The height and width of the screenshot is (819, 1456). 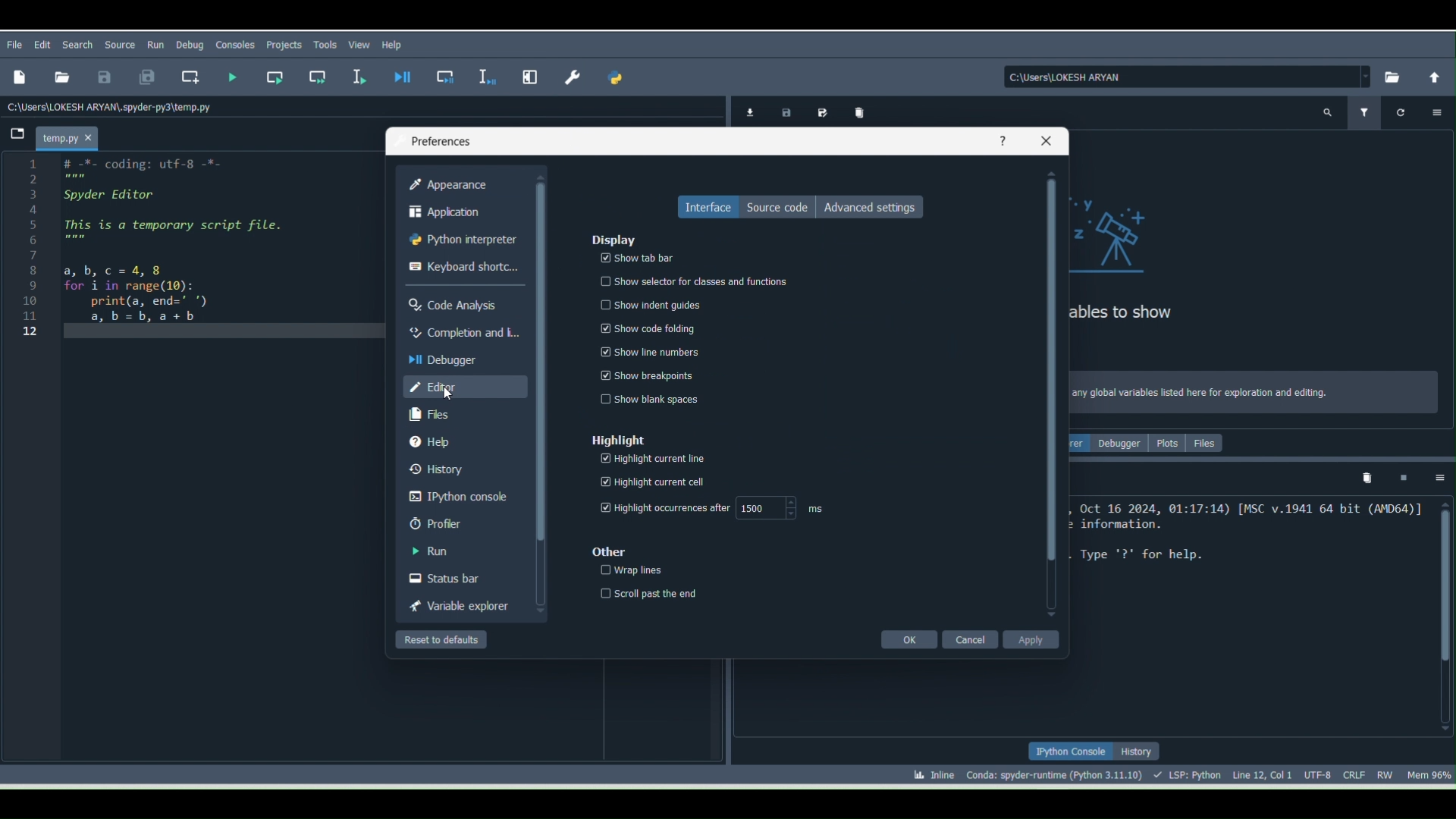 What do you see at coordinates (1364, 111) in the screenshot?
I see `Filter variables` at bounding box center [1364, 111].